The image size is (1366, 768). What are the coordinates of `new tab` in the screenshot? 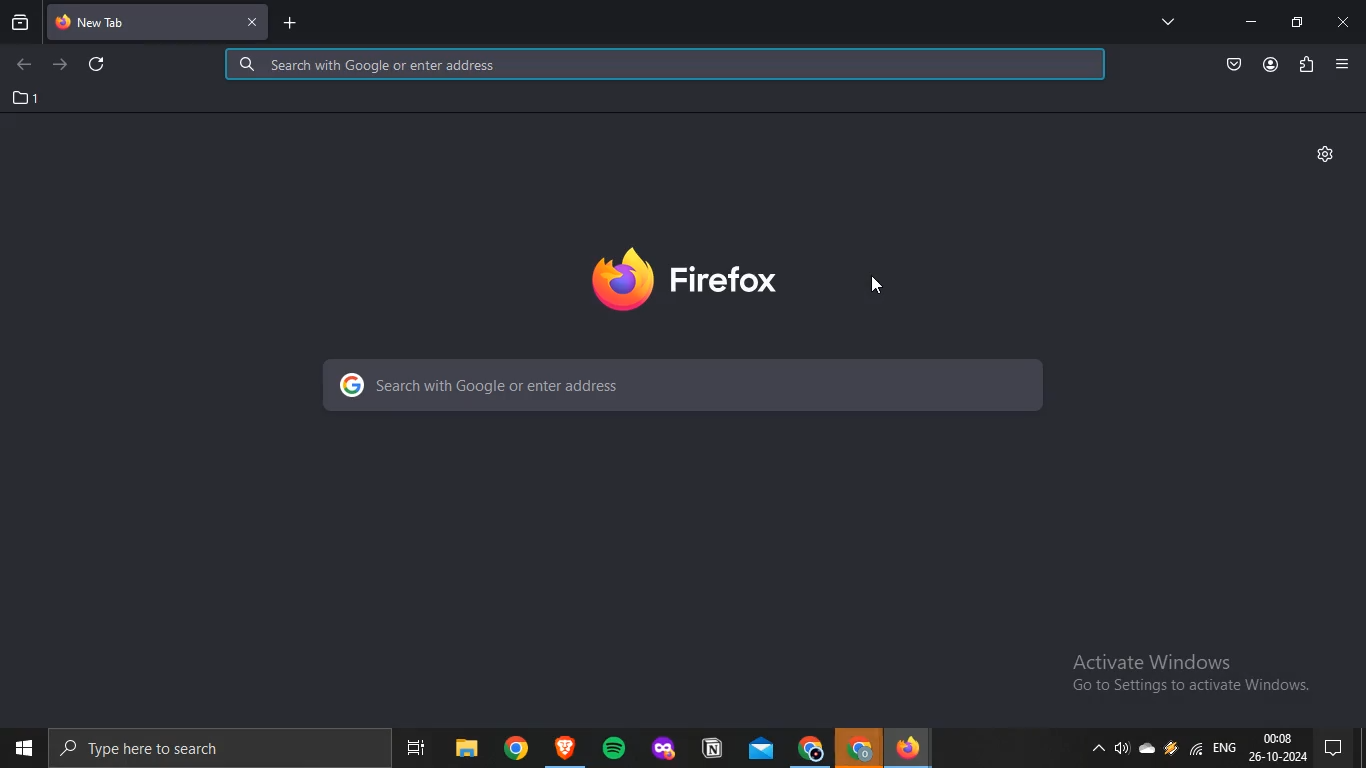 It's located at (289, 25).